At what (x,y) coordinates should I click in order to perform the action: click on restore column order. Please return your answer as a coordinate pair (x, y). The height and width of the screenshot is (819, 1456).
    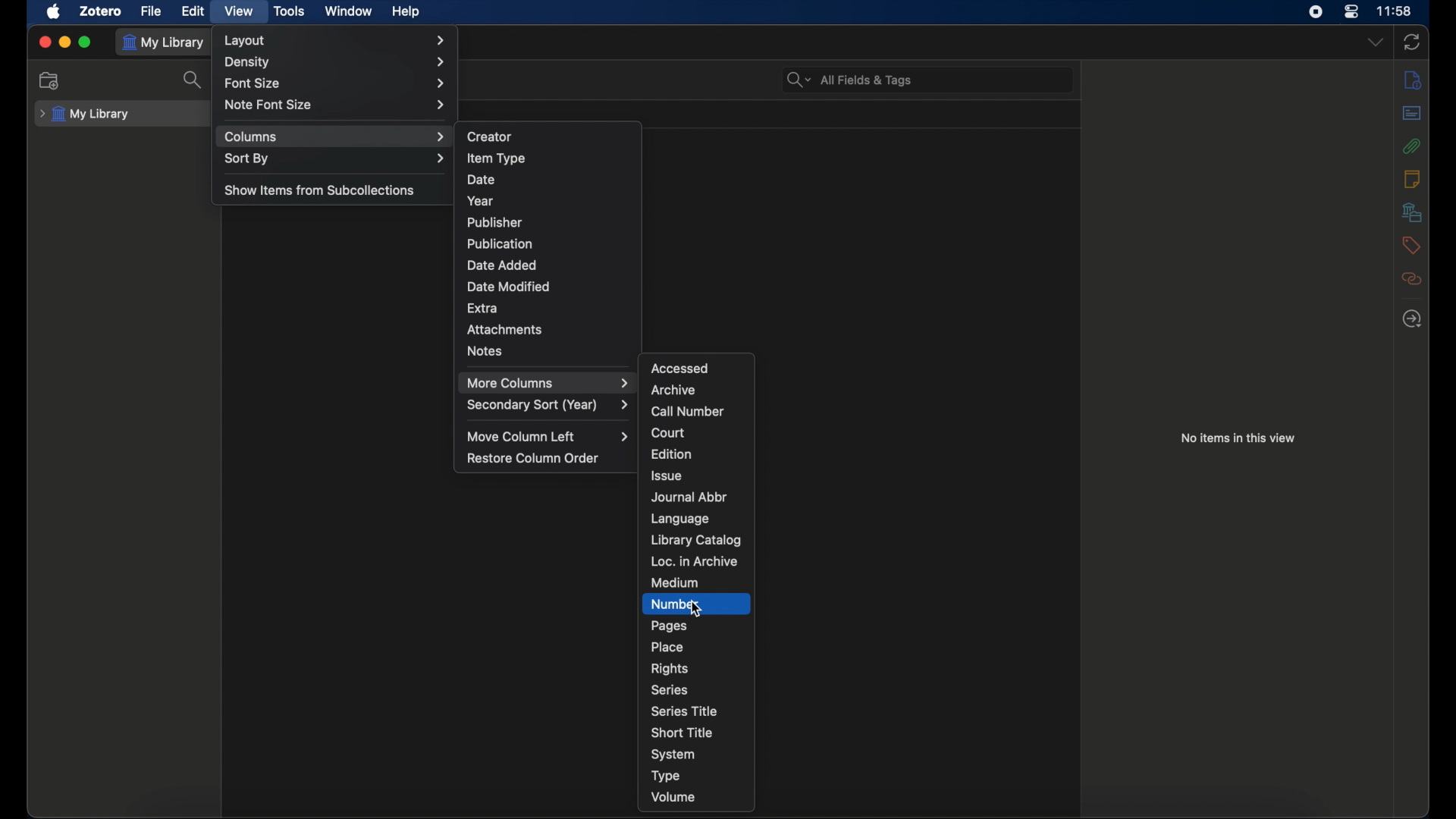
    Looking at the image, I should click on (534, 459).